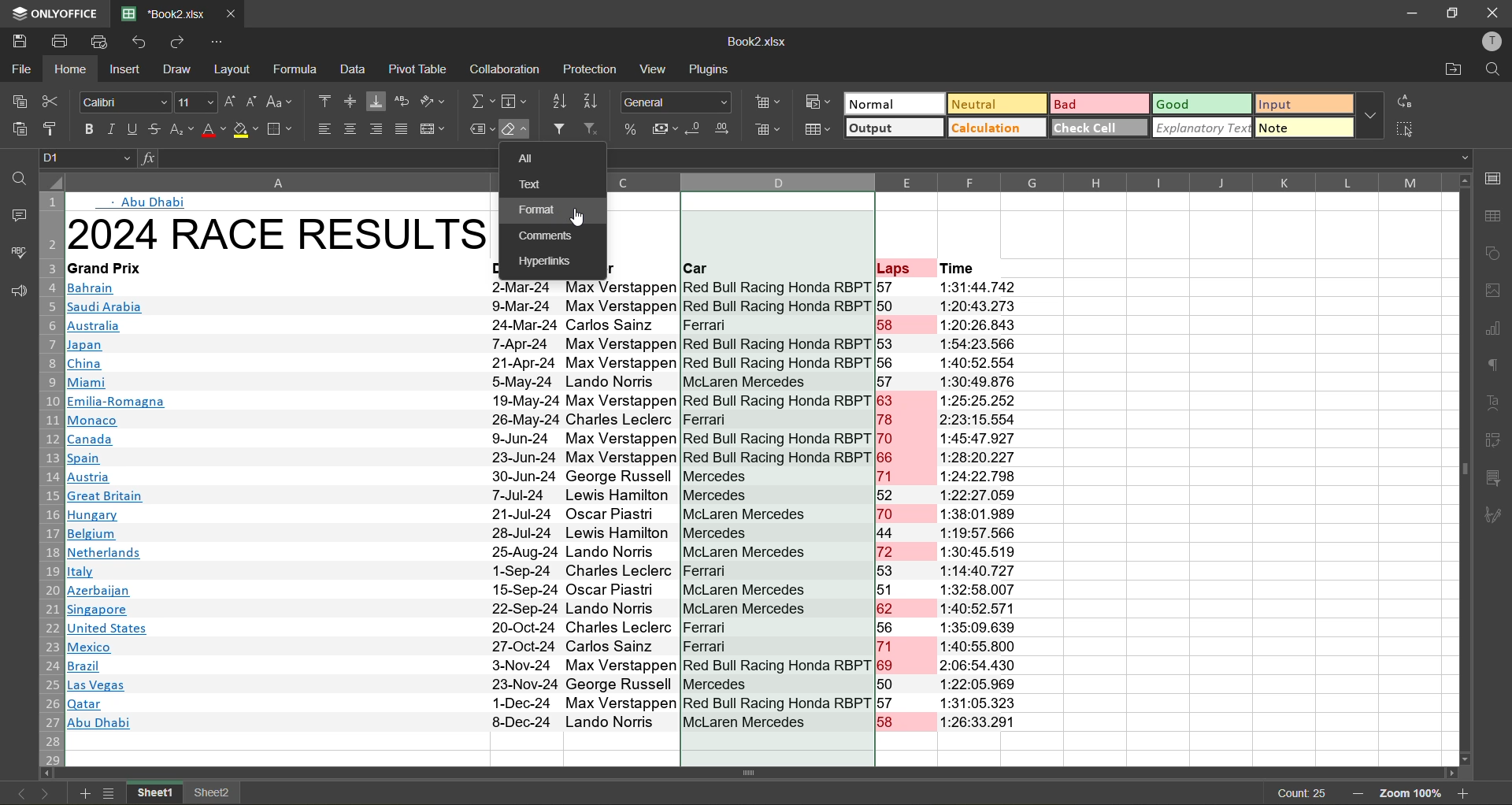 The width and height of the screenshot is (1512, 805). What do you see at coordinates (996, 103) in the screenshot?
I see `neutral` at bounding box center [996, 103].